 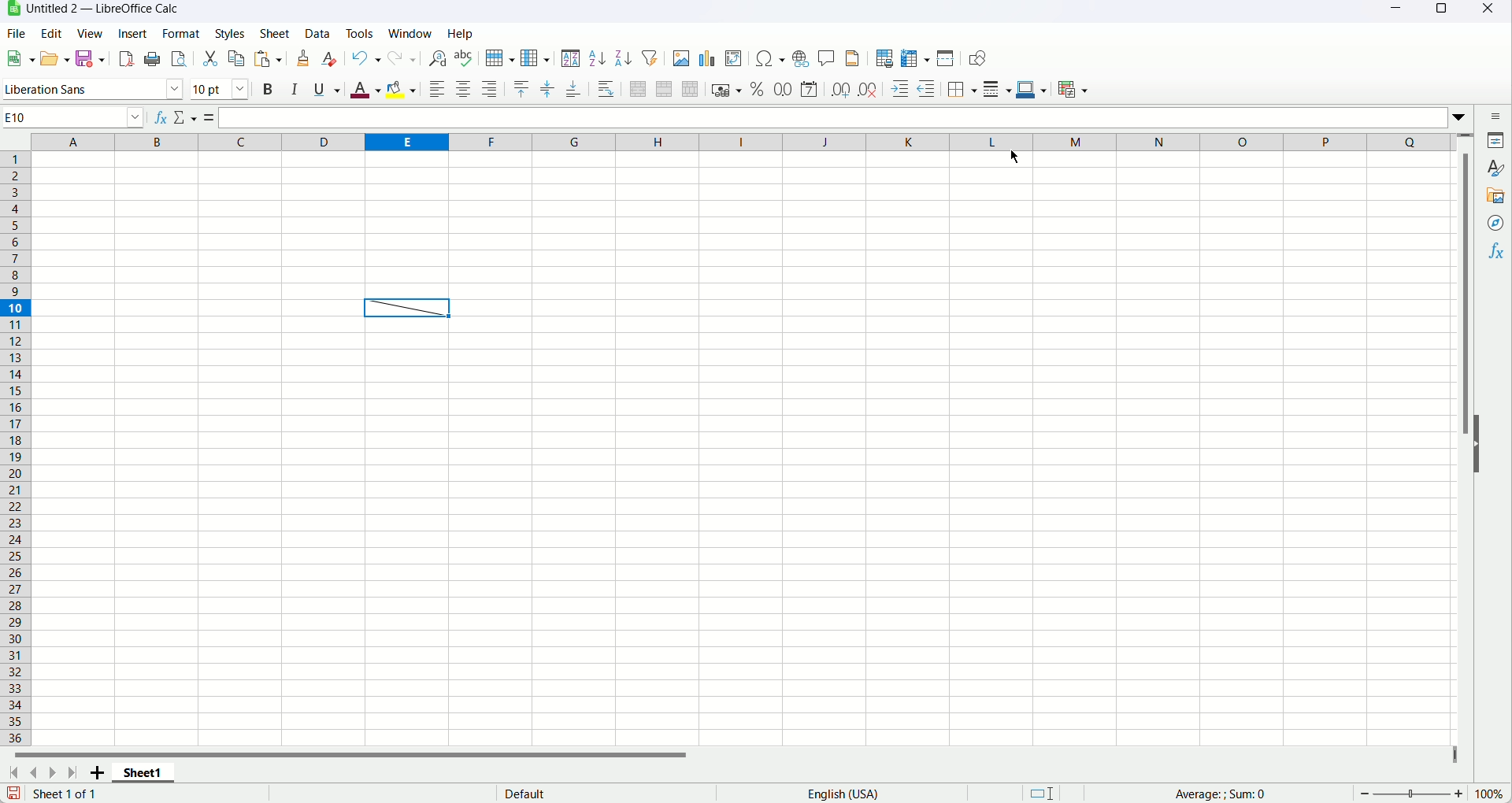 I want to click on Font color, so click(x=365, y=89).